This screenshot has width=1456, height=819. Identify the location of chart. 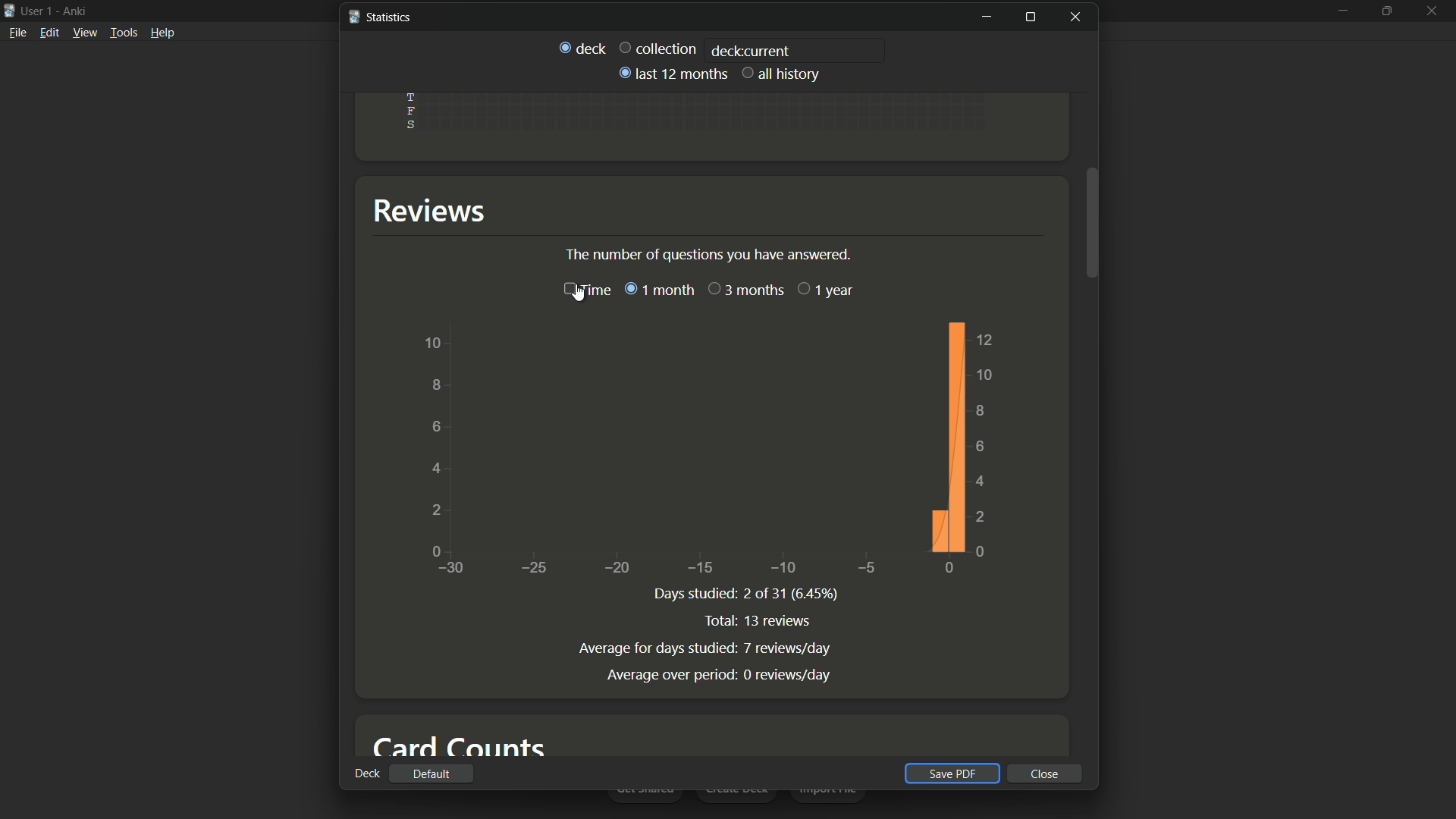
(703, 447).